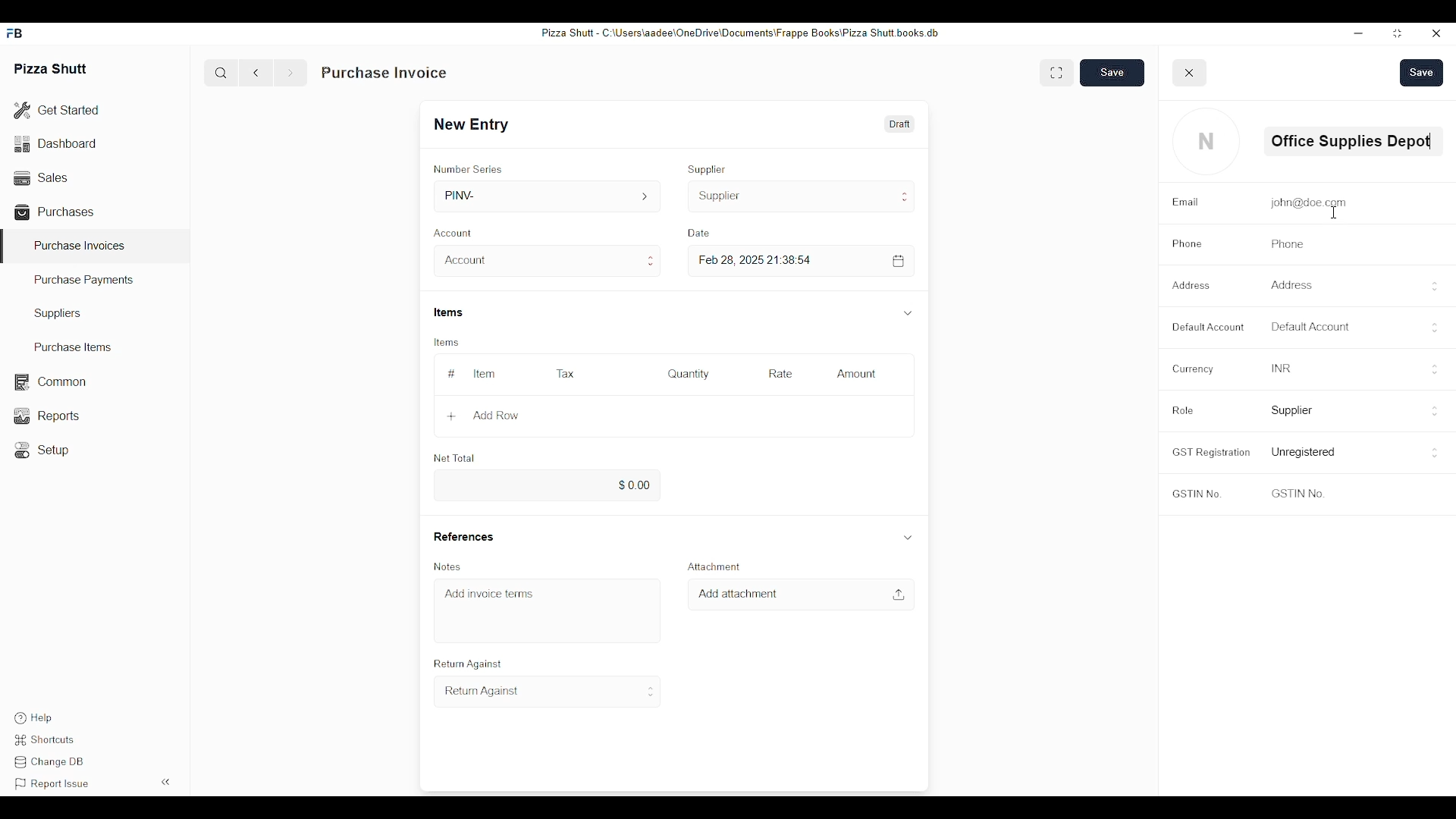 Image resolution: width=1456 pixels, height=819 pixels. Describe the element at coordinates (1337, 213) in the screenshot. I see `cursor` at that location.